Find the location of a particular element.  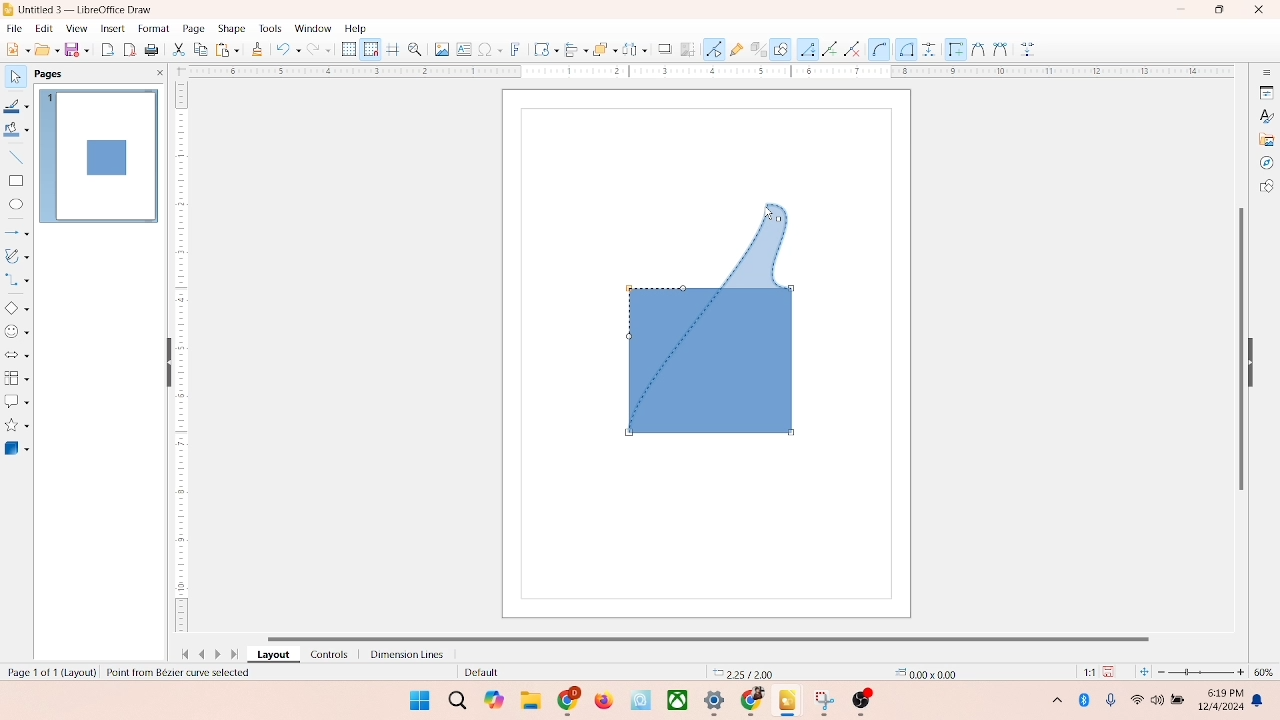

wifi is located at coordinates (1136, 696).